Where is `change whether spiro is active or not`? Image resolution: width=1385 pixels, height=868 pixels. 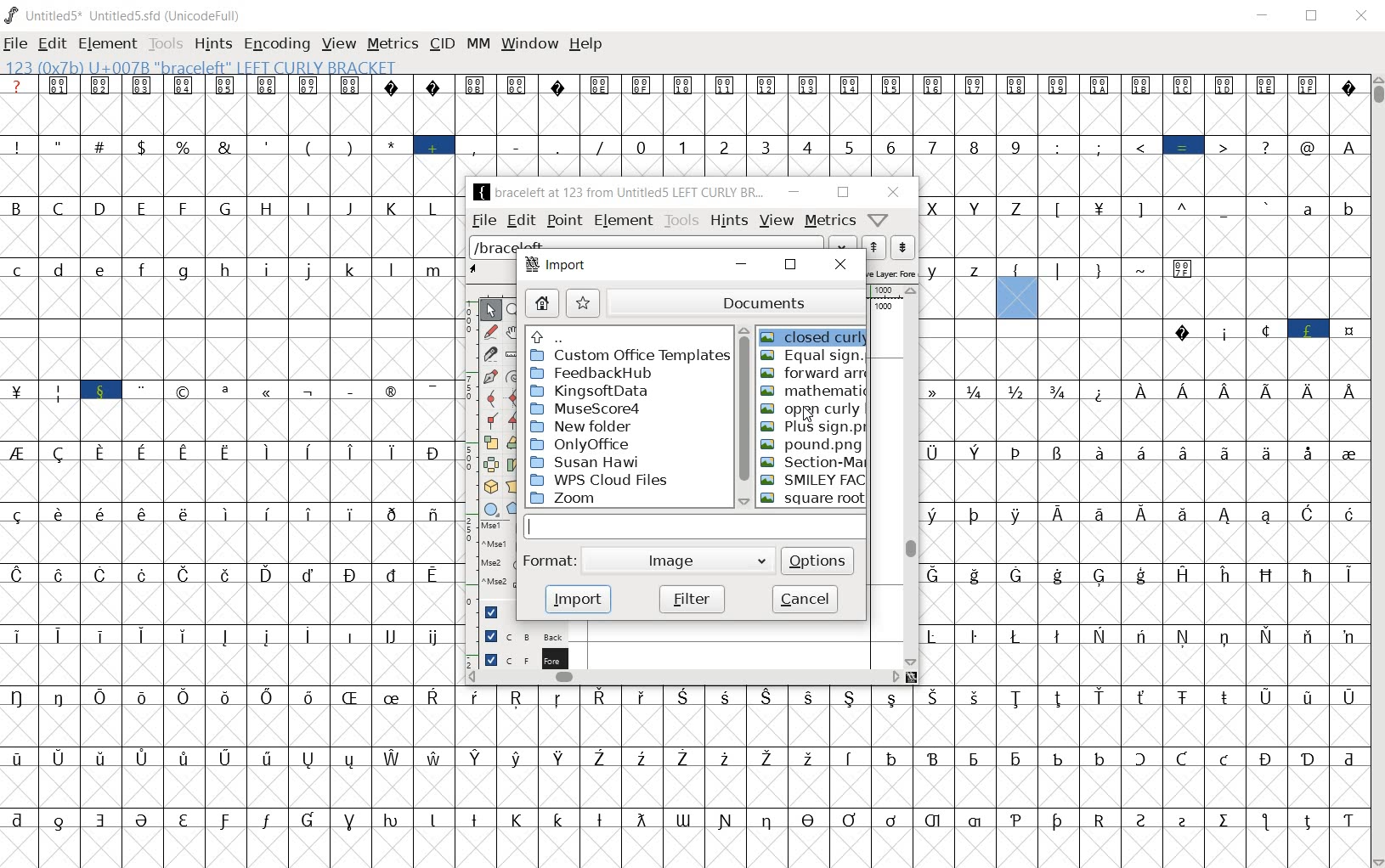 change whether spiro is active or not is located at coordinates (514, 375).